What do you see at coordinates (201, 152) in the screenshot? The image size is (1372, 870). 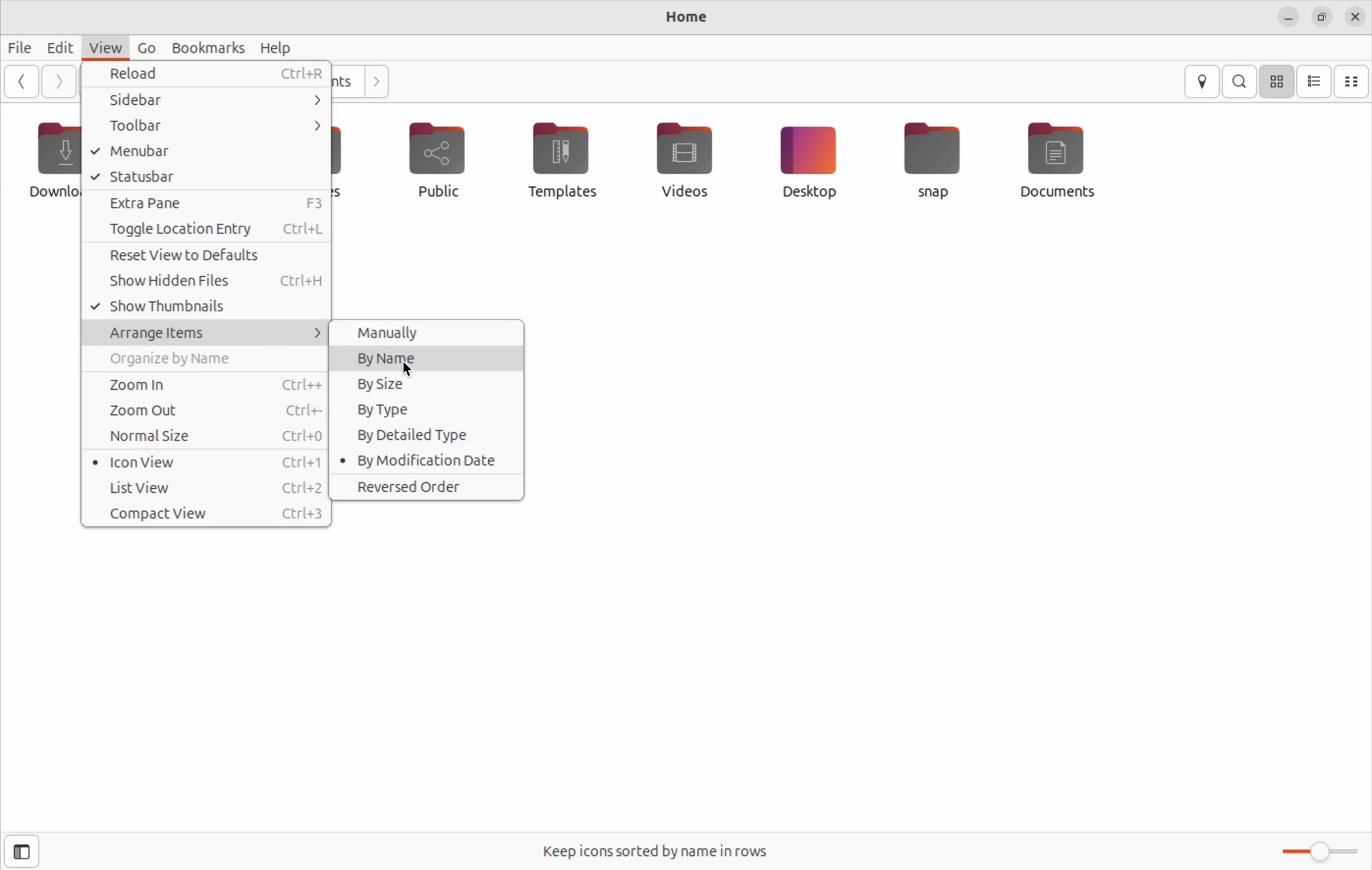 I see `menu bar` at bounding box center [201, 152].